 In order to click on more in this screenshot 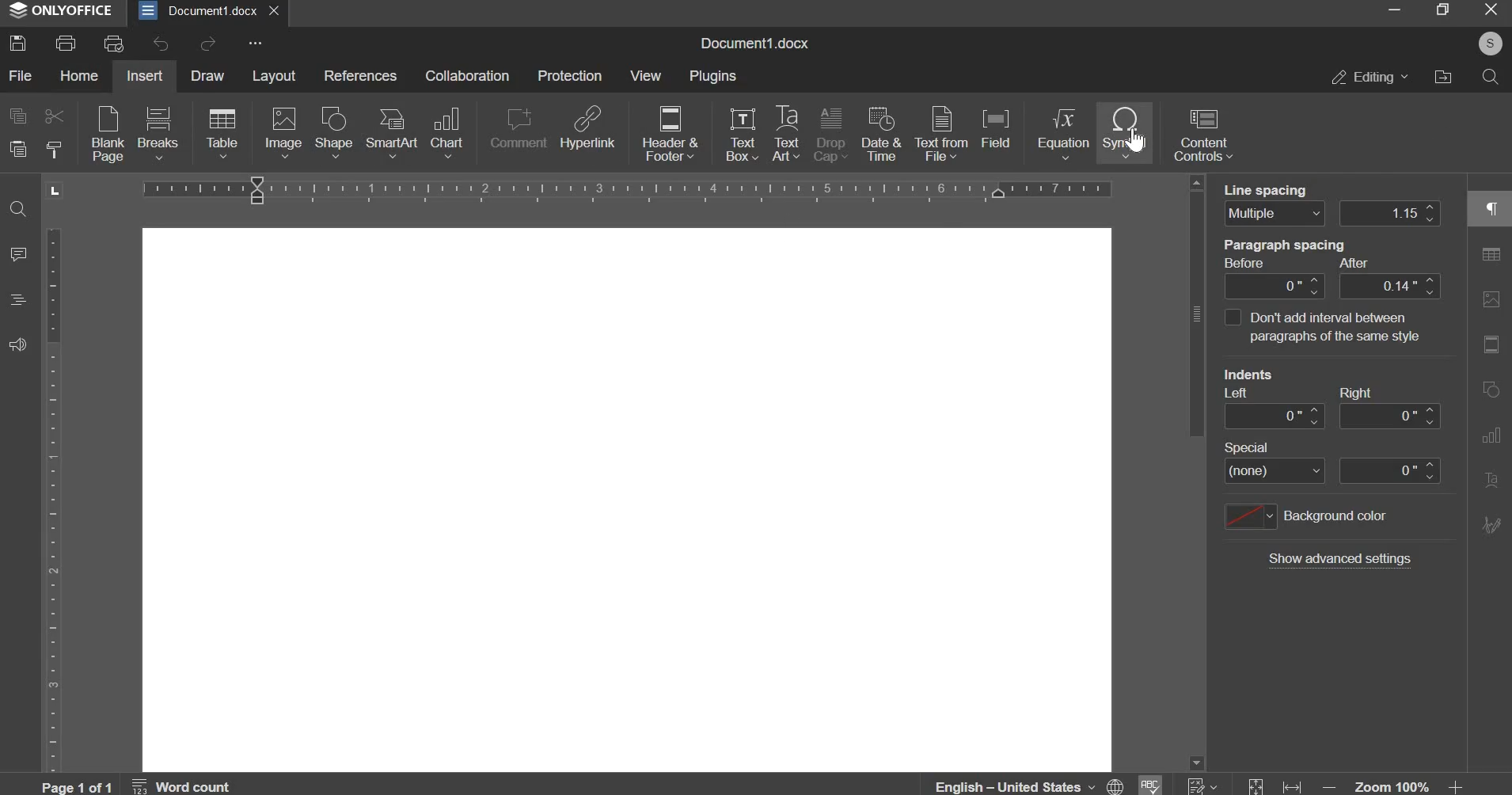, I will do `click(253, 43)`.